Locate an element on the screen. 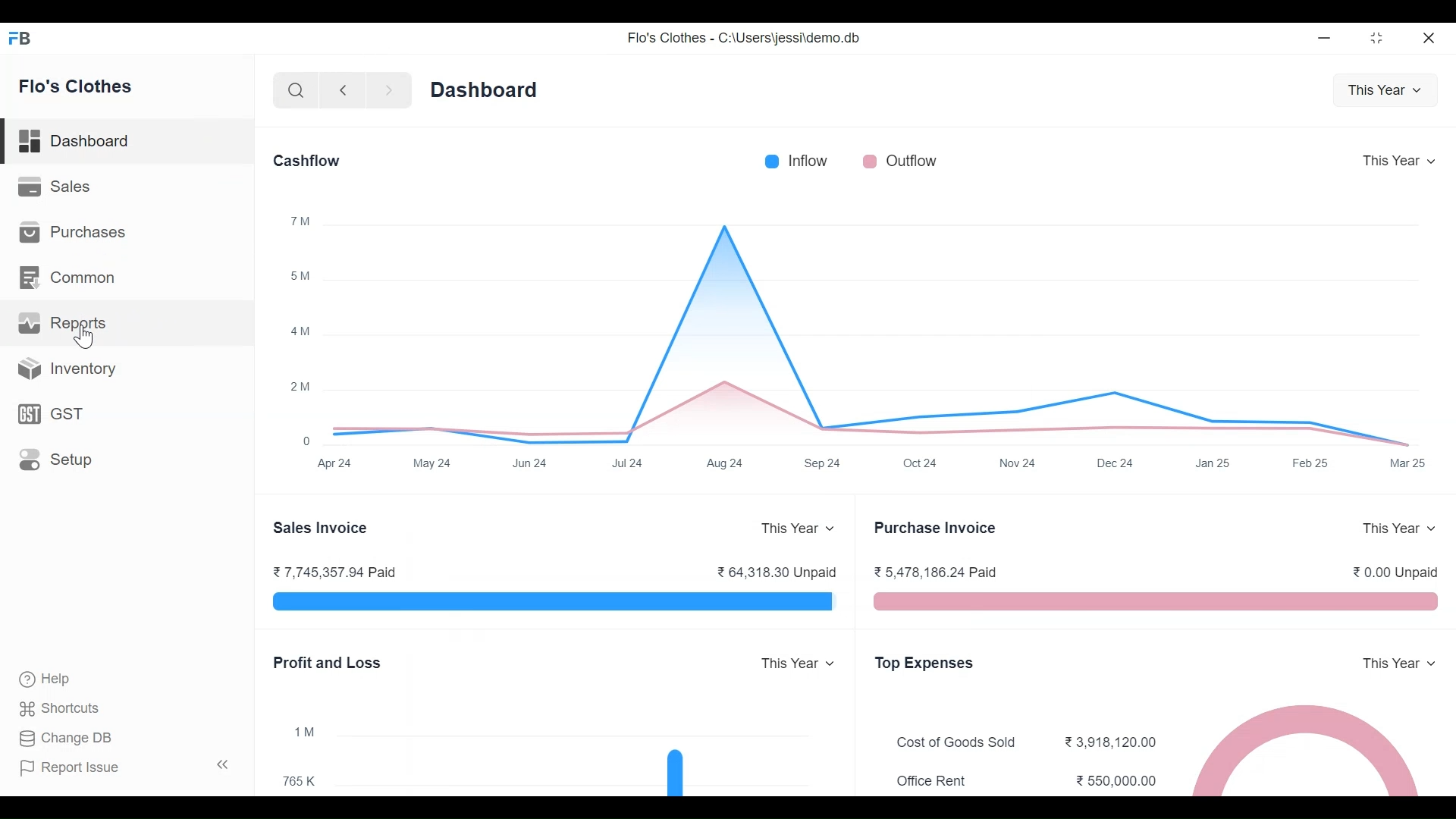   0.00 Unpaid is located at coordinates (1395, 572).